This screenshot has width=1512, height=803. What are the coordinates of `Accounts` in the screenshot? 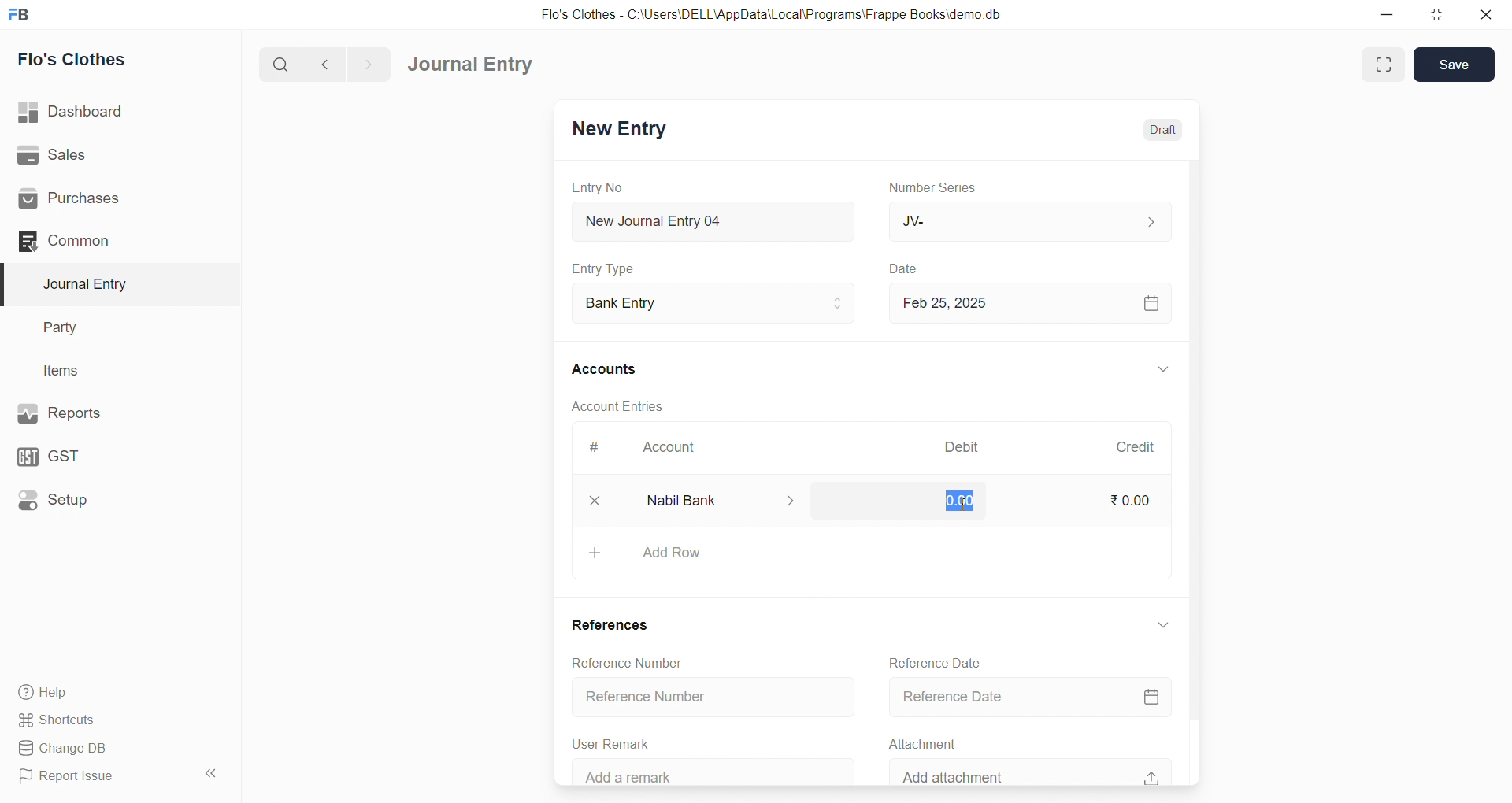 It's located at (614, 368).